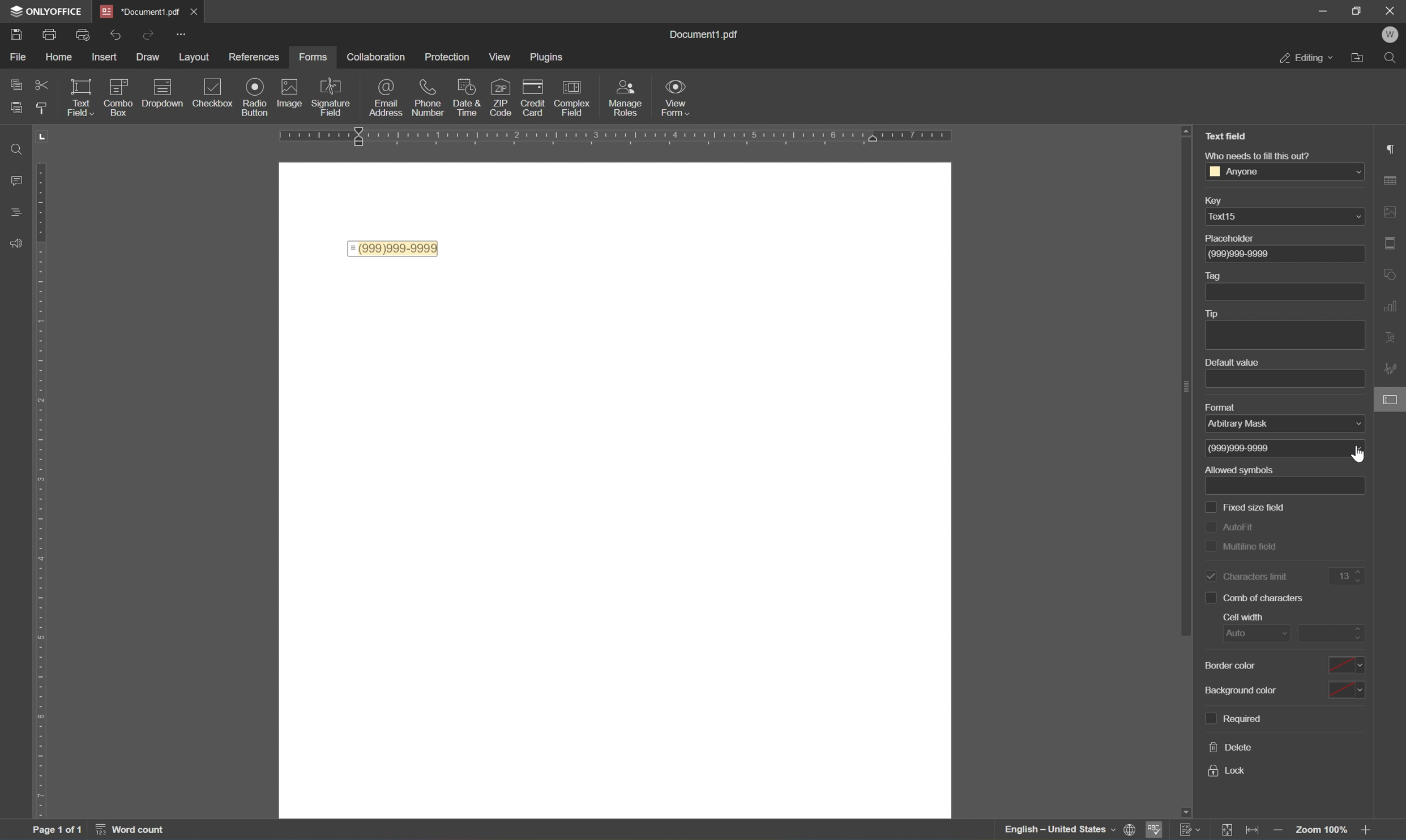  Describe the element at coordinates (332, 97) in the screenshot. I see `signature field` at that location.